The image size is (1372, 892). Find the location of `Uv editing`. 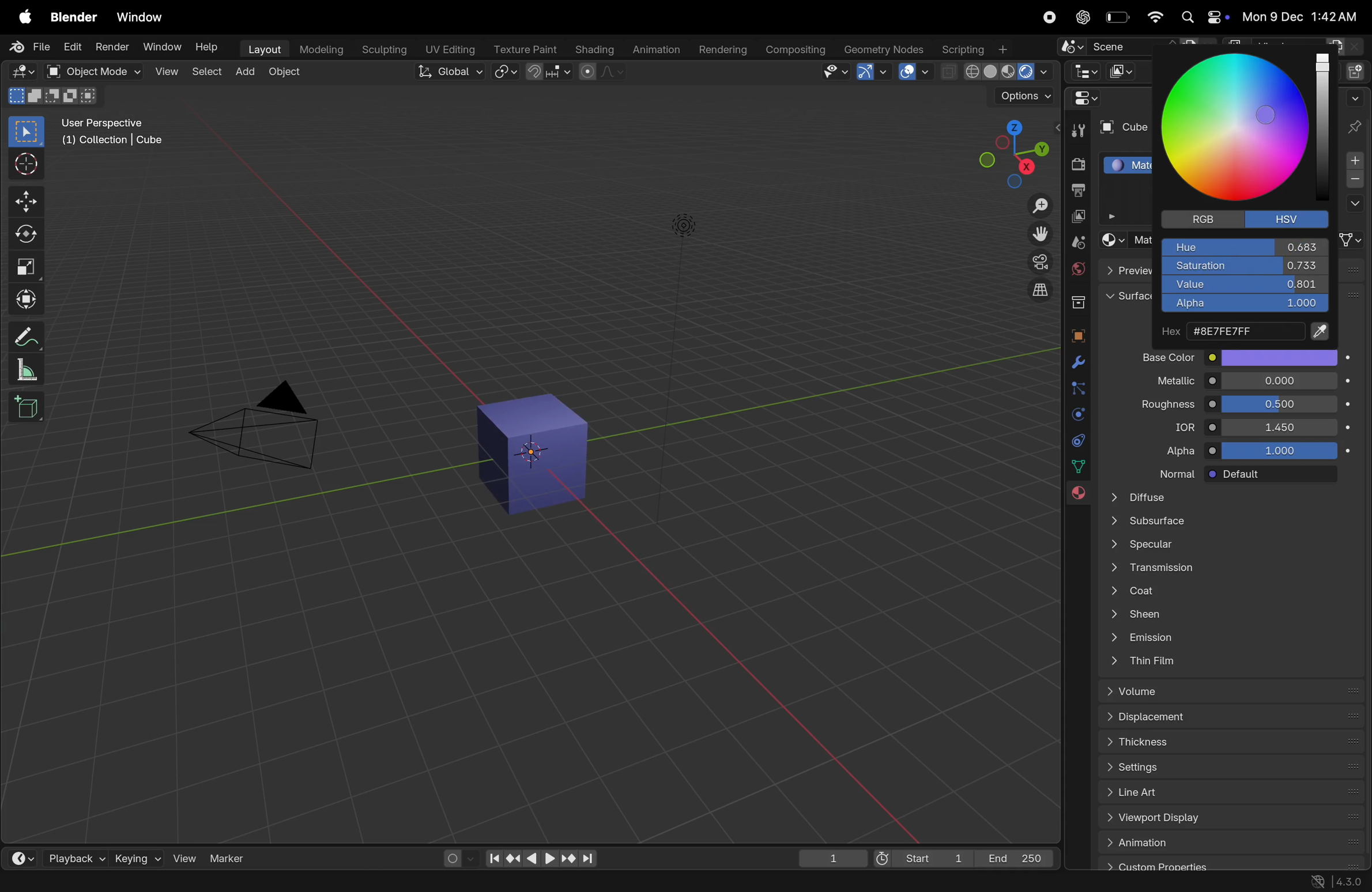

Uv editing is located at coordinates (448, 48).